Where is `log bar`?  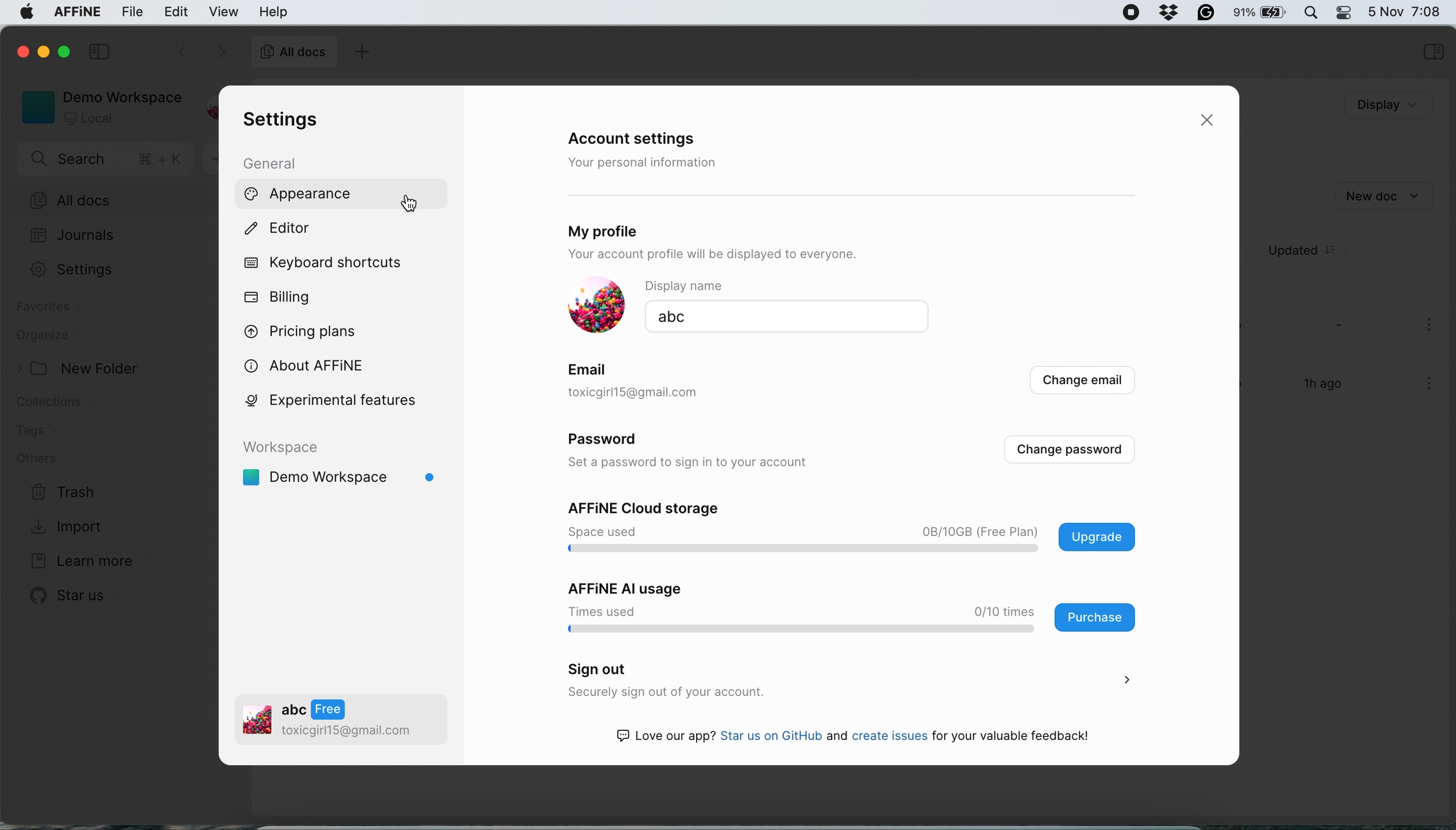 log bar is located at coordinates (805, 630).